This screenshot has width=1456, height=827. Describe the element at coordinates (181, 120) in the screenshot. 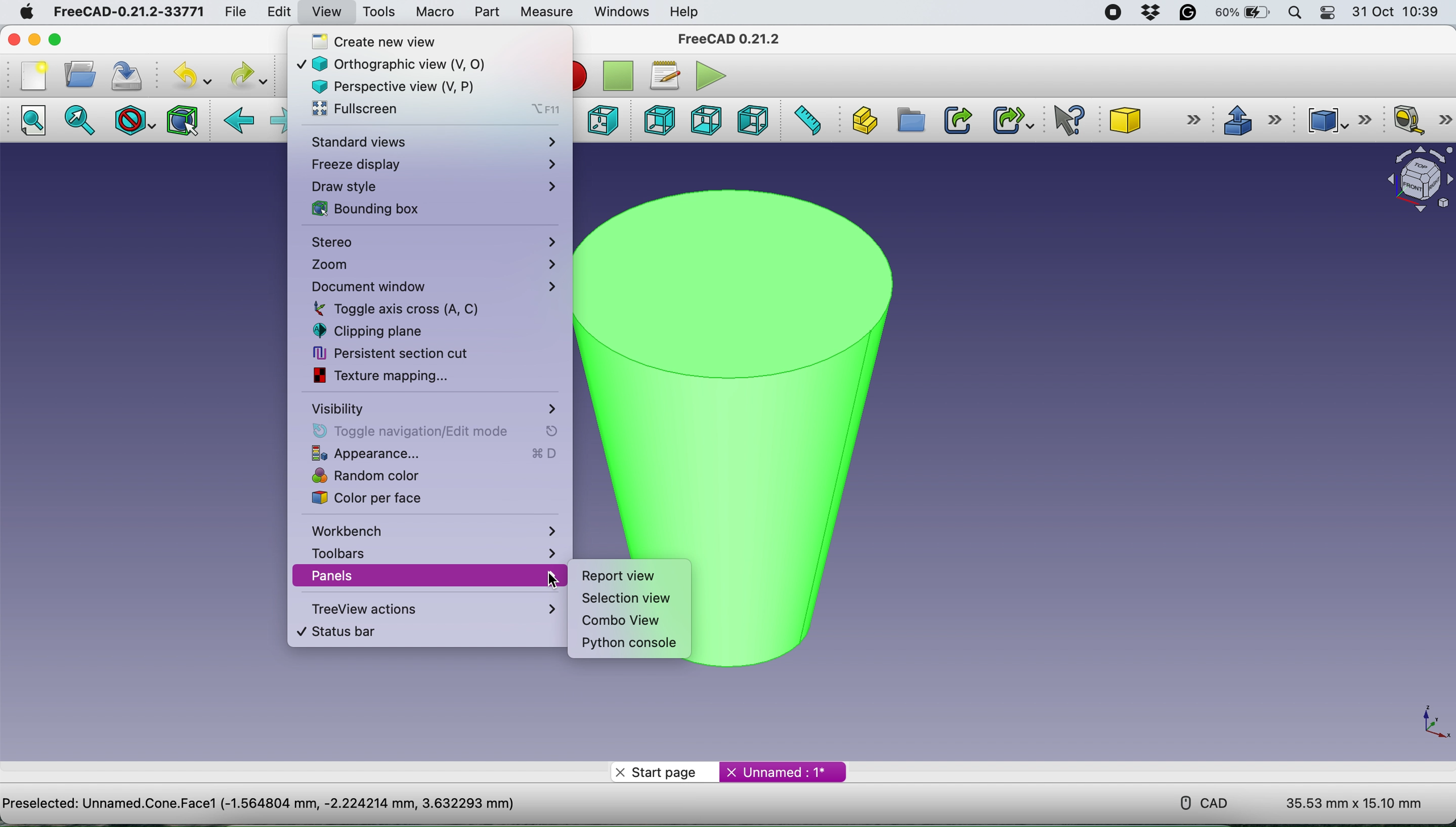

I see `bounding box` at that location.